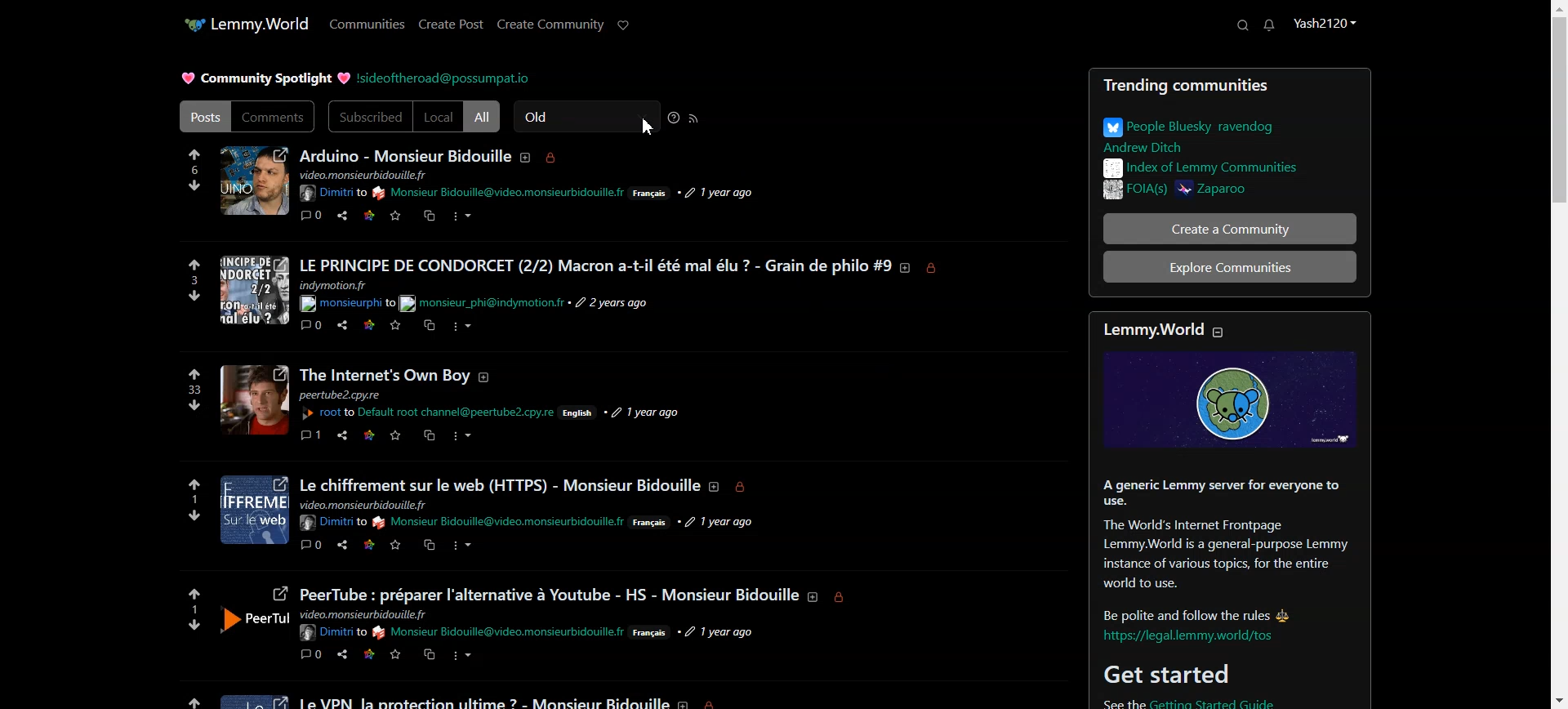  Describe the element at coordinates (612, 304) in the screenshot. I see `` at that location.